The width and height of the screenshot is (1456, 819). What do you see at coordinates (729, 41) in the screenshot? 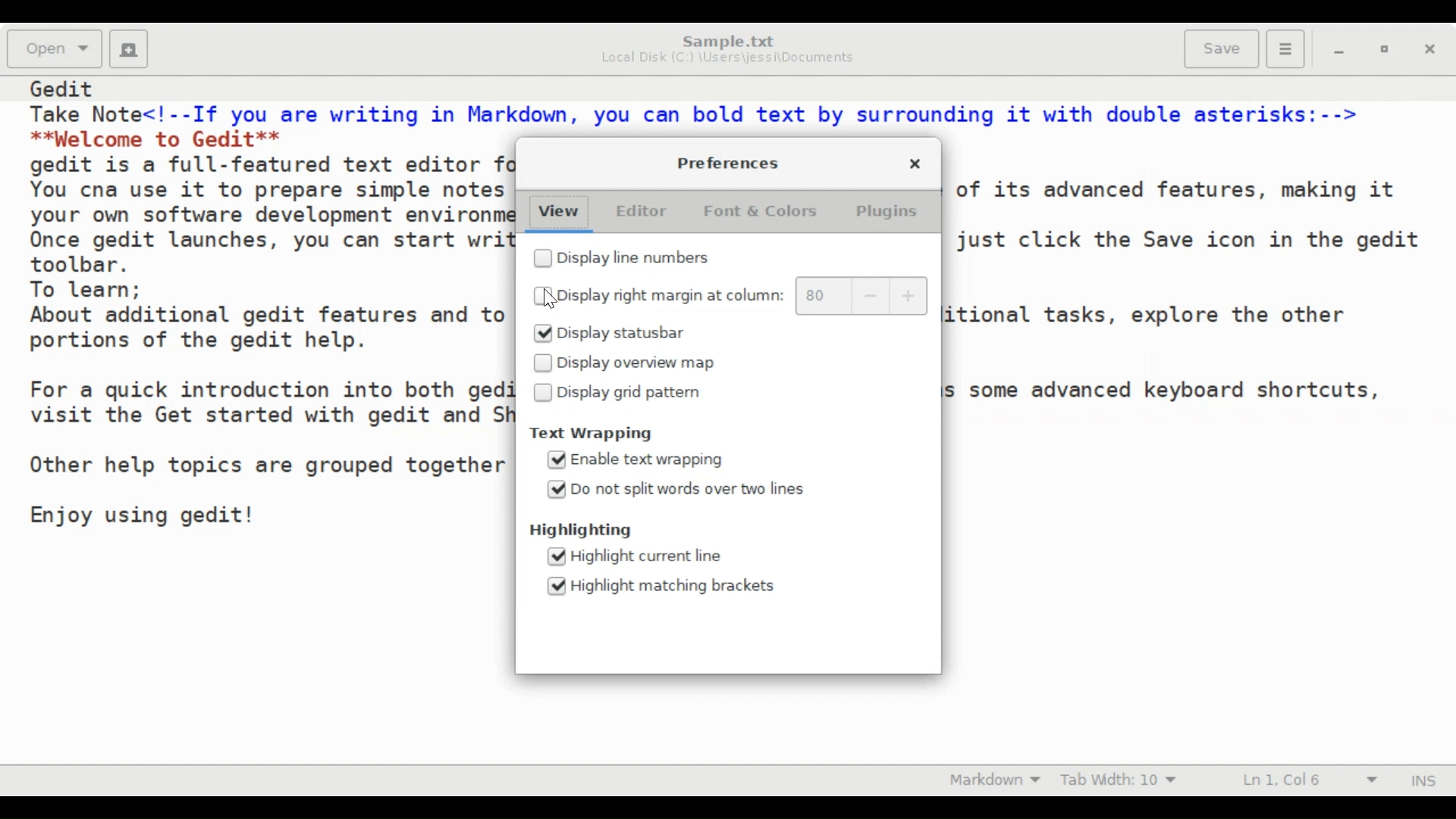
I see `Sample.txt` at bounding box center [729, 41].